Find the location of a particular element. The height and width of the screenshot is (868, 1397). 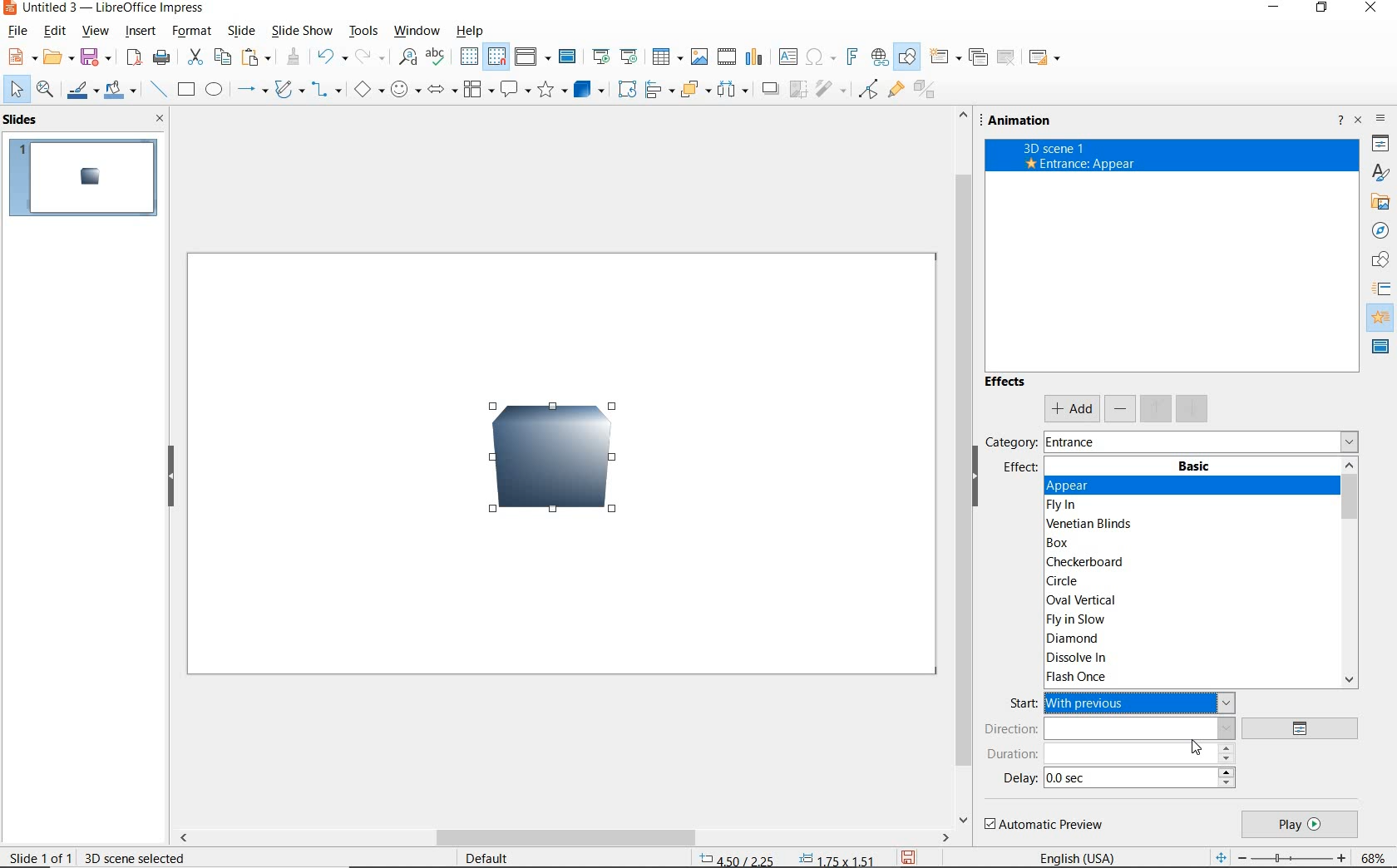

file is located at coordinates (18, 31).